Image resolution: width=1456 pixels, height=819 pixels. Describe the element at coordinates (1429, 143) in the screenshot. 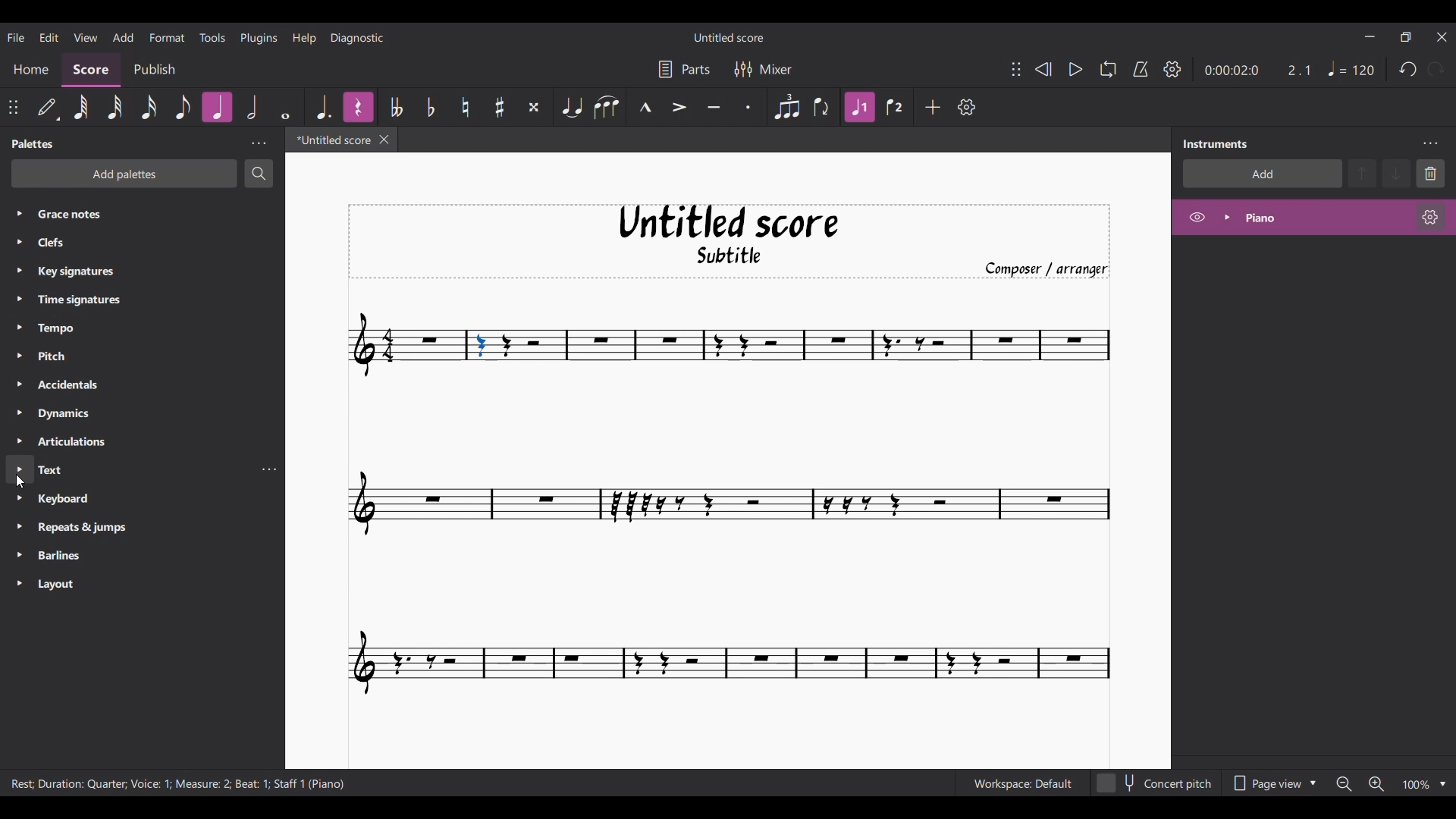

I see `Instrument settings` at that location.